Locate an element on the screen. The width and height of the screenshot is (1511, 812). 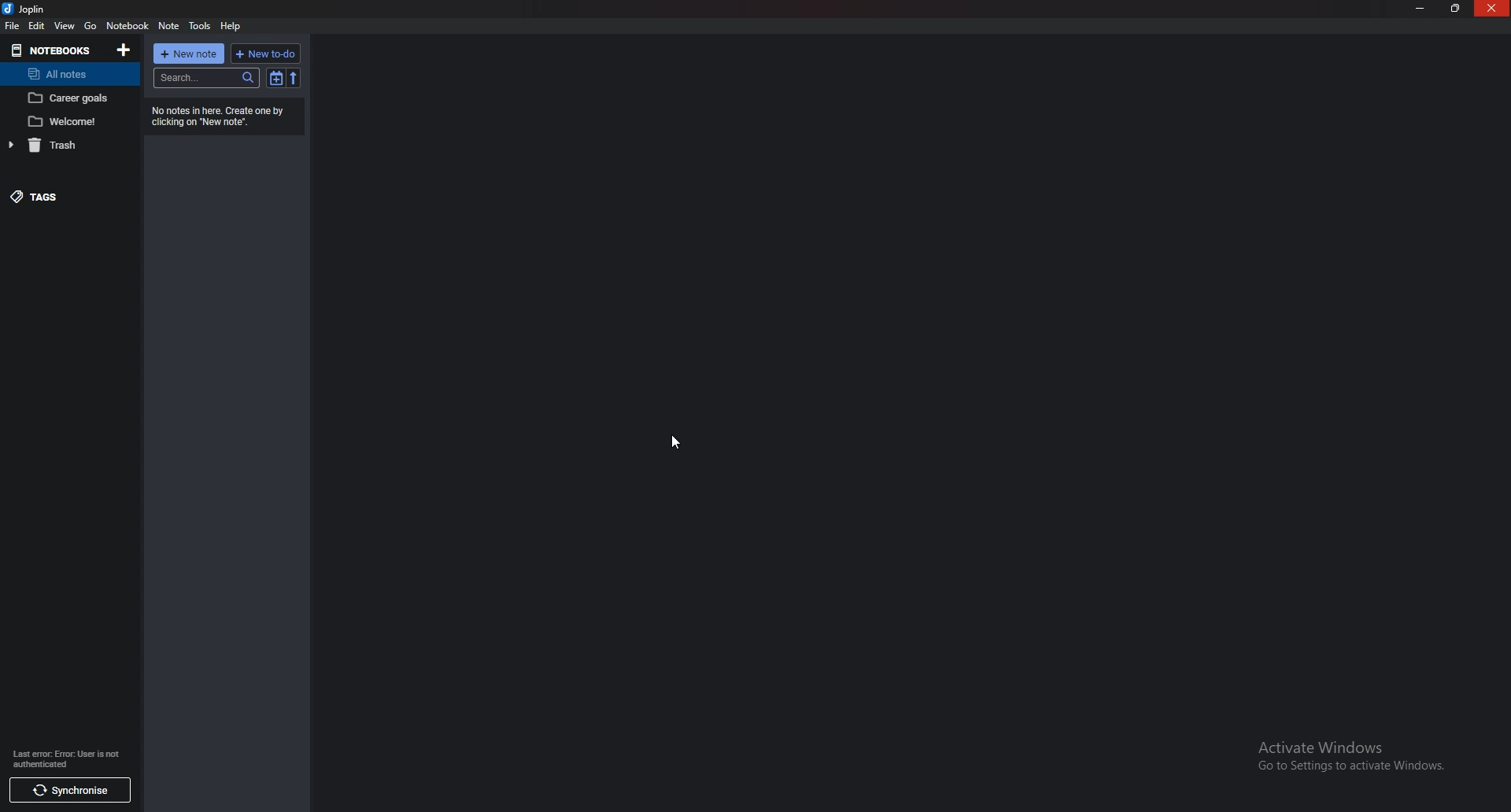
help is located at coordinates (231, 27).